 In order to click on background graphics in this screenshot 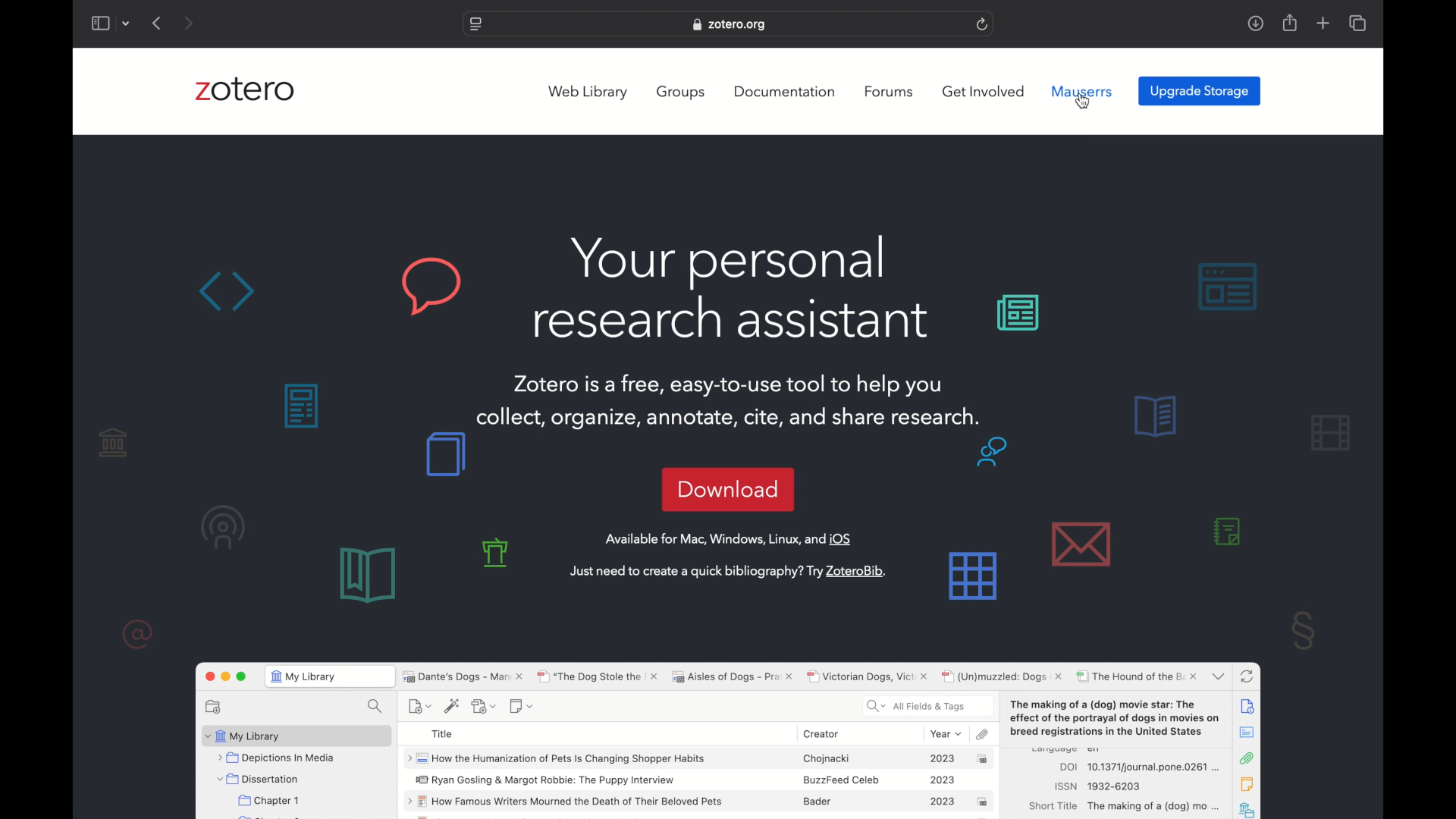, I will do `click(1133, 294)`.